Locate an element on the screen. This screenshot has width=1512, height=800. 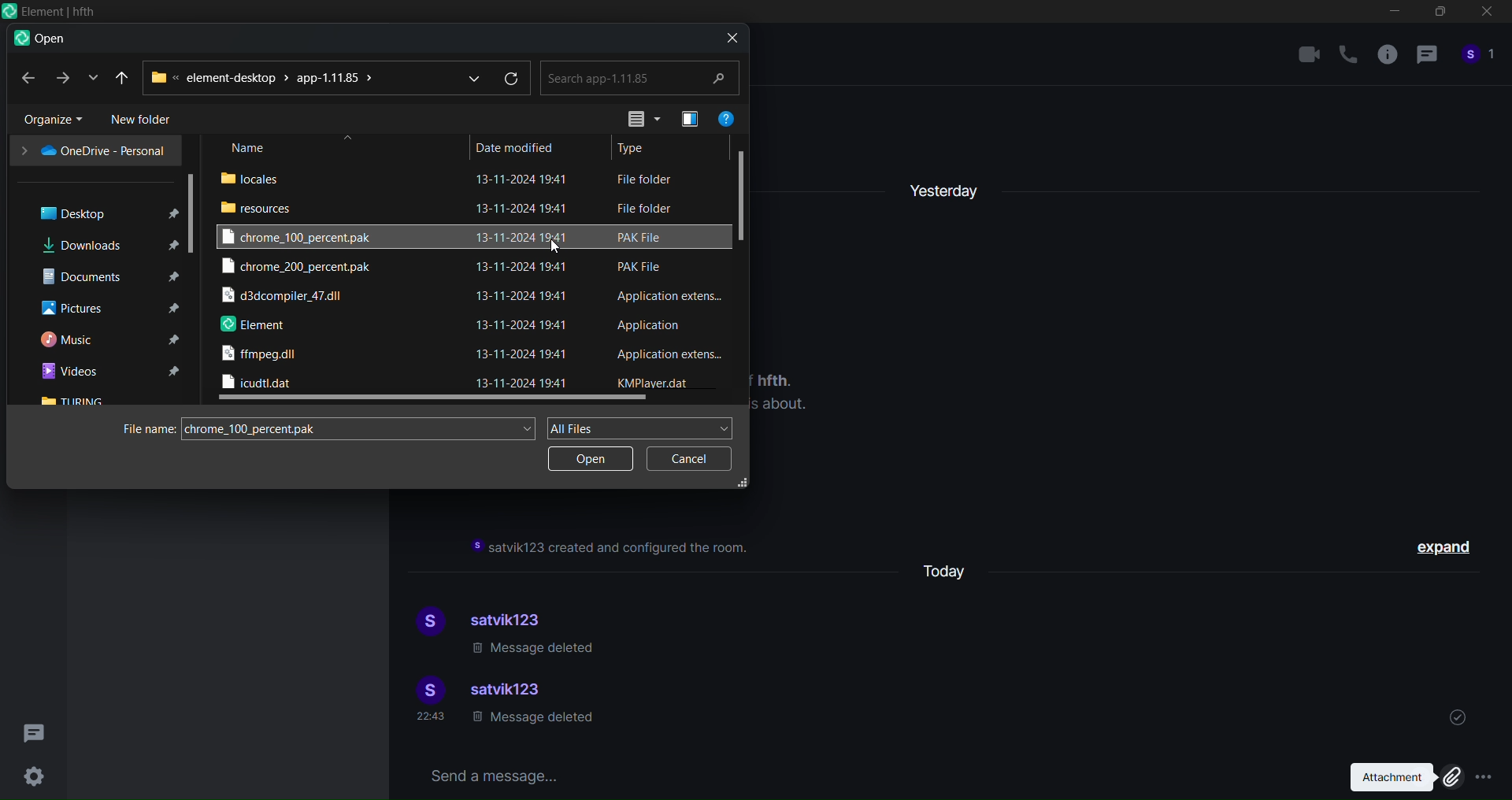
documents is located at coordinates (105, 276).